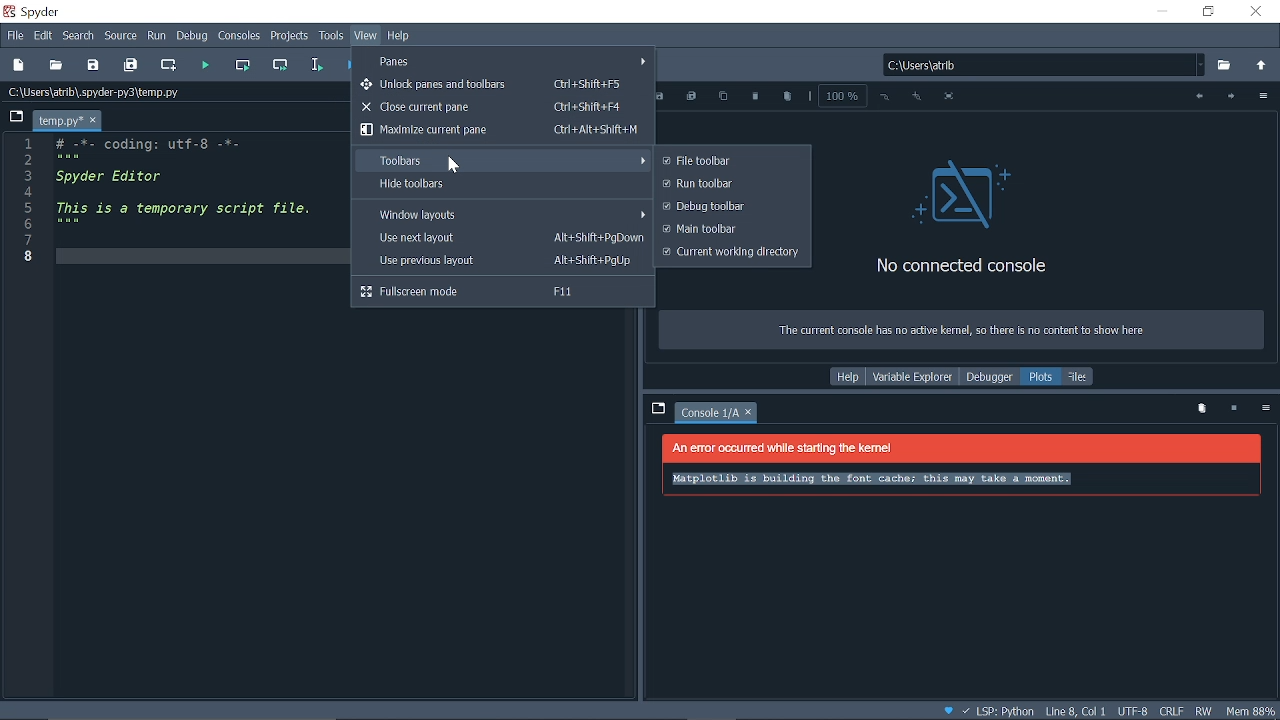 This screenshot has width=1280, height=720. I want to click on Window layouts, so click(502, 213).